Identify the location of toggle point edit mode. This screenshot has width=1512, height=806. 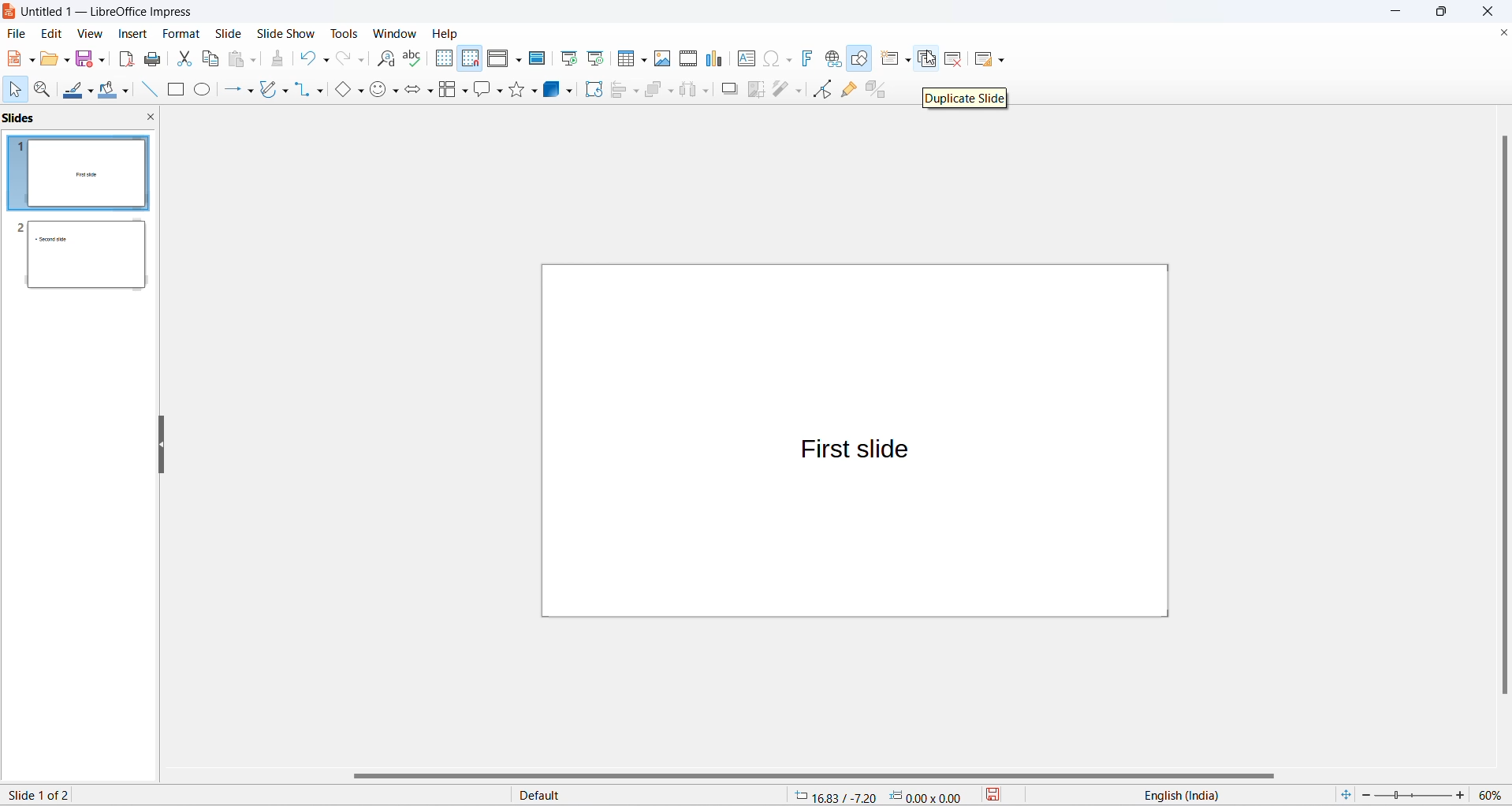
(825, 91).